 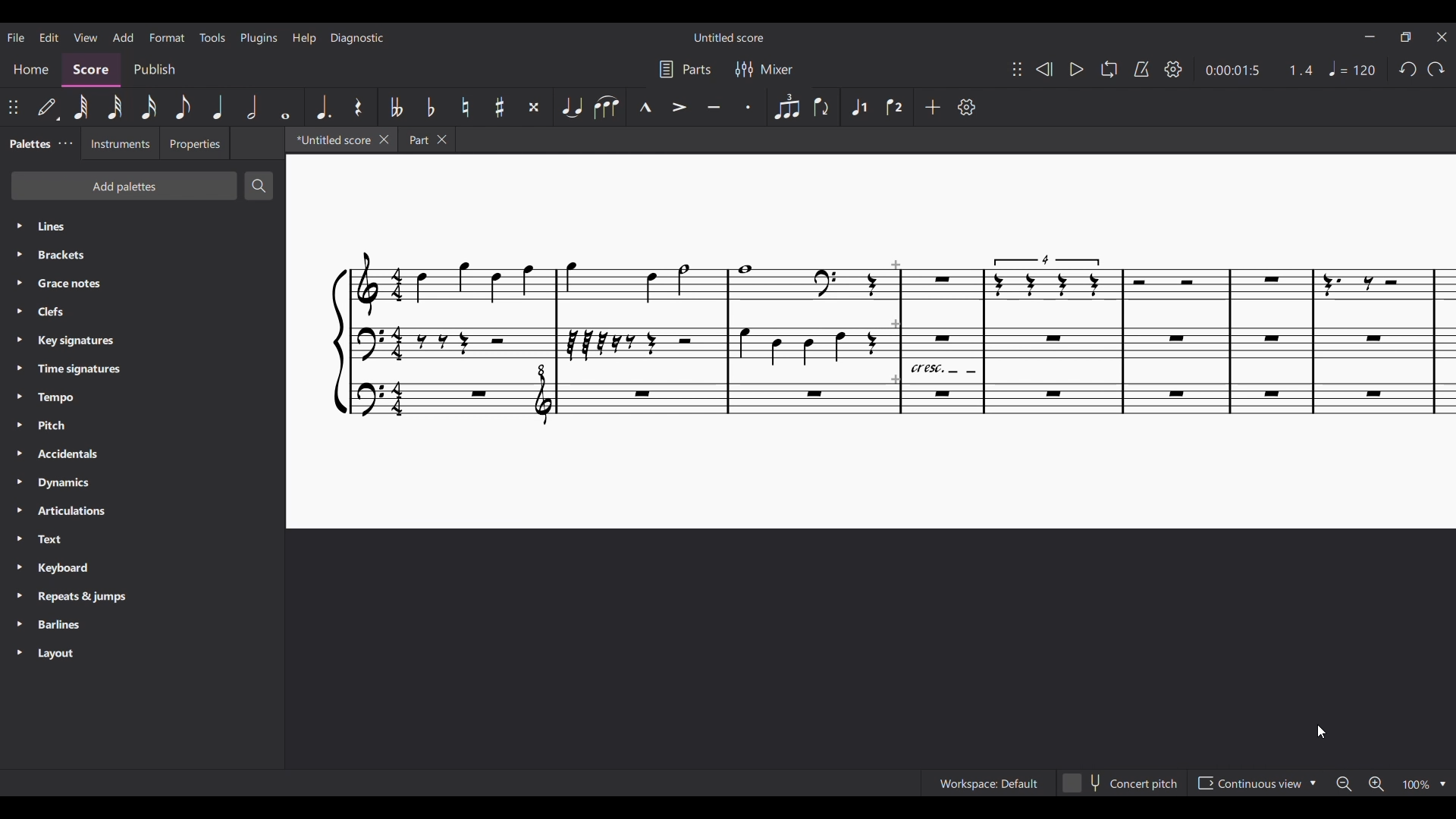 What do you see at coordinates (1443, 37) in the screenshot?
I see `Close interface` at bounding box center [1443, 37].